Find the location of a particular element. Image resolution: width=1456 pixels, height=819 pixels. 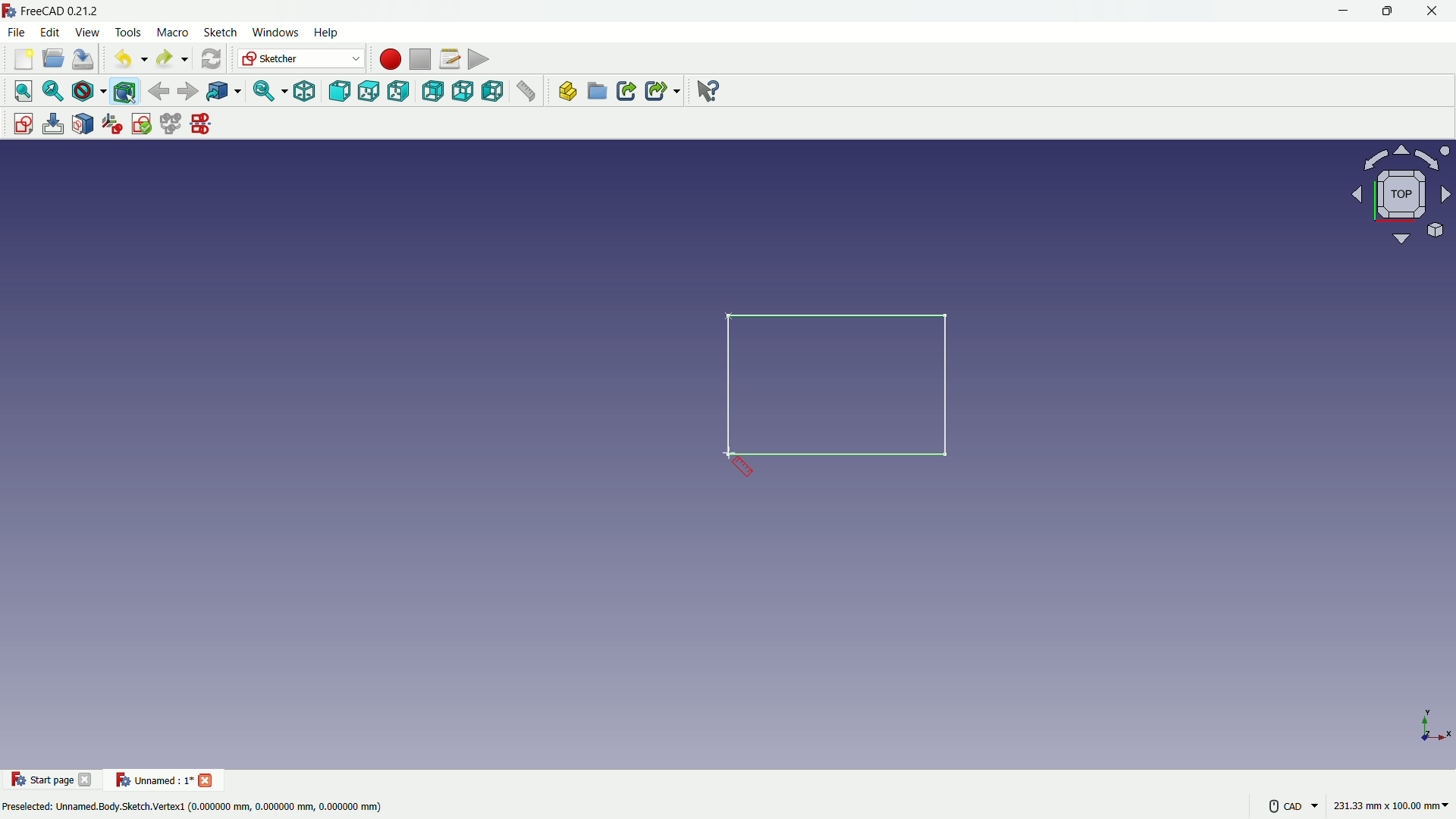

validate sketches is located at coordinates (143, 124).